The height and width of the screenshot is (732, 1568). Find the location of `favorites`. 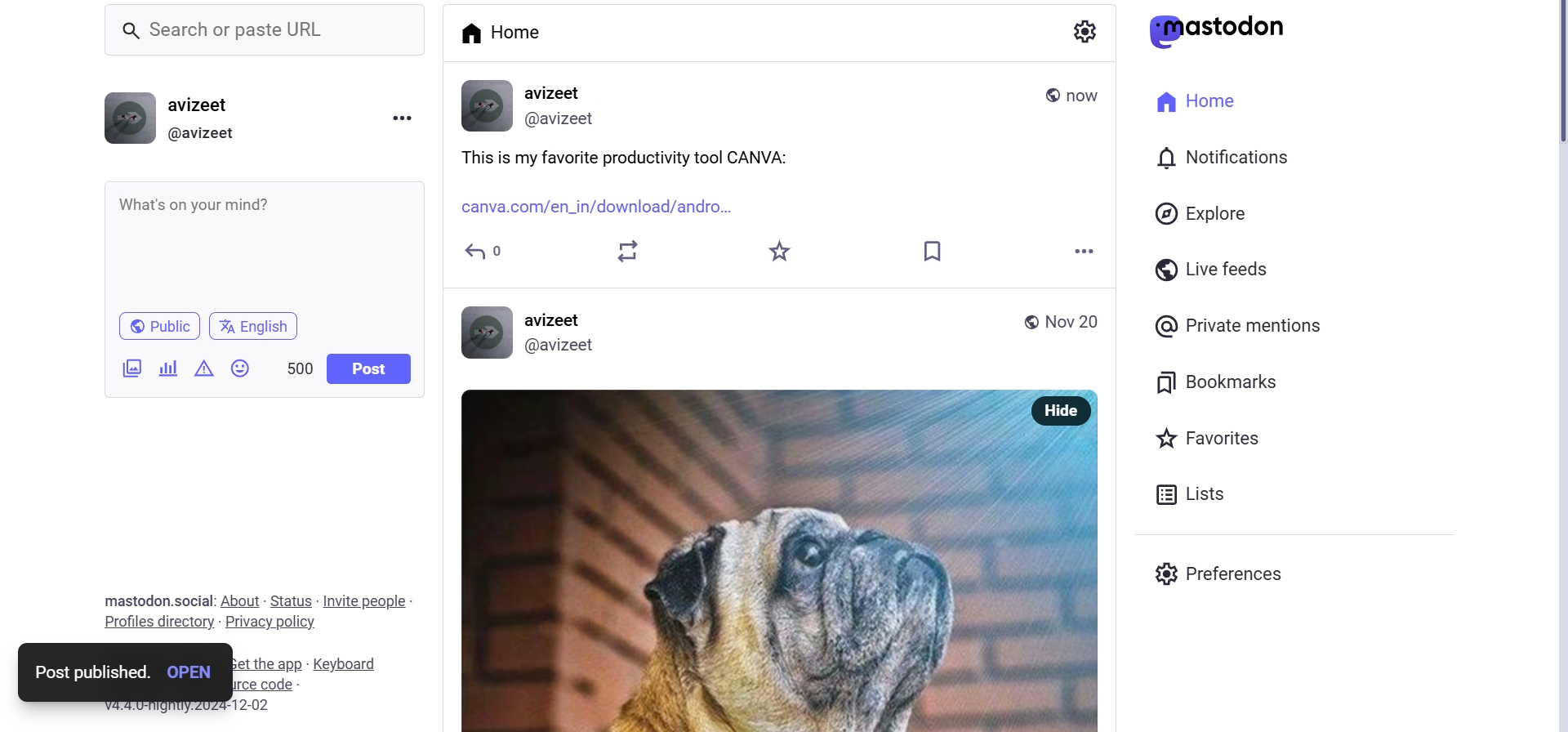

favorites is located at coordinates (1214, 441).